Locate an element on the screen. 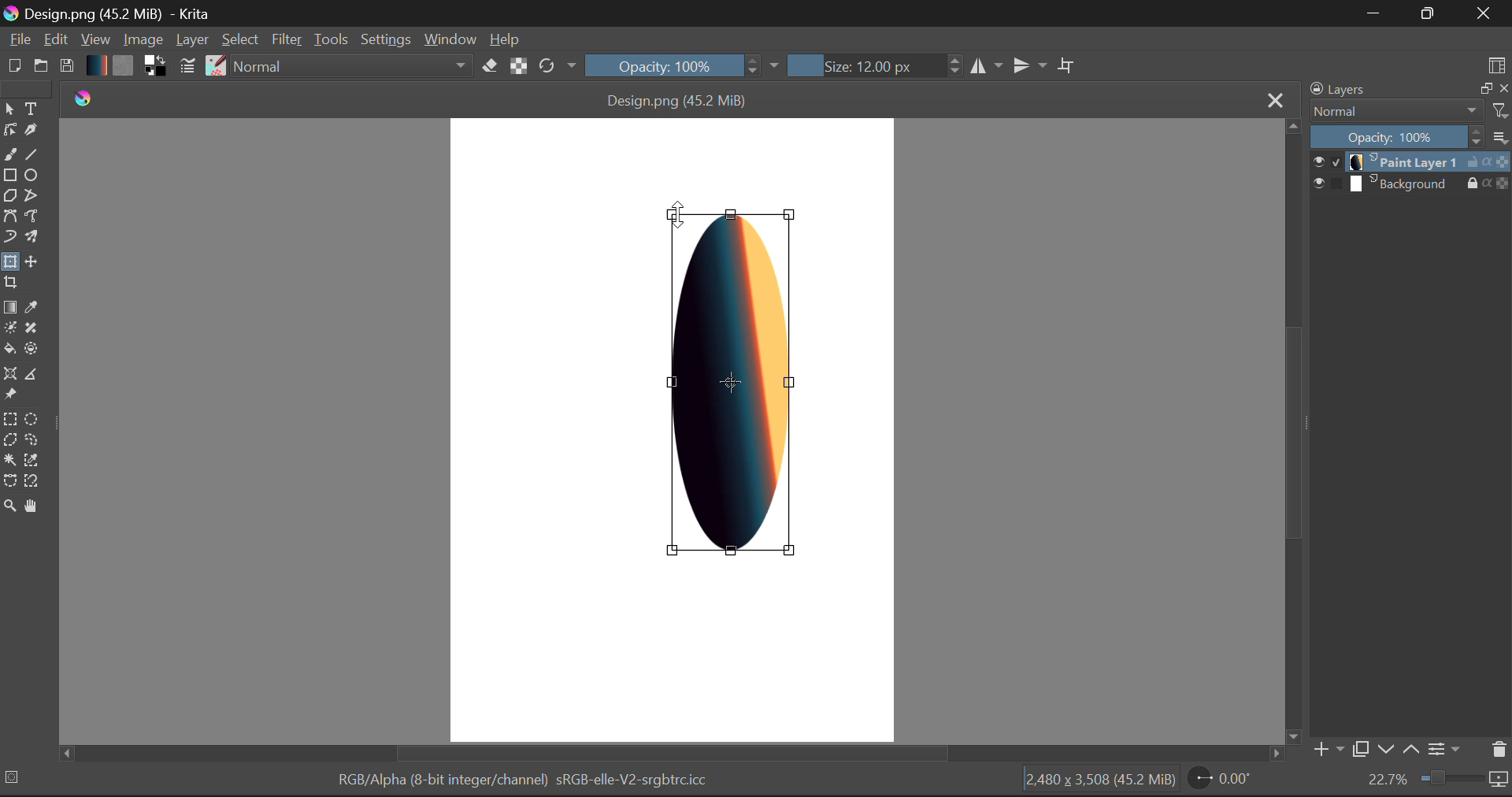  Add Layer is located at coordinates (1327, 750).